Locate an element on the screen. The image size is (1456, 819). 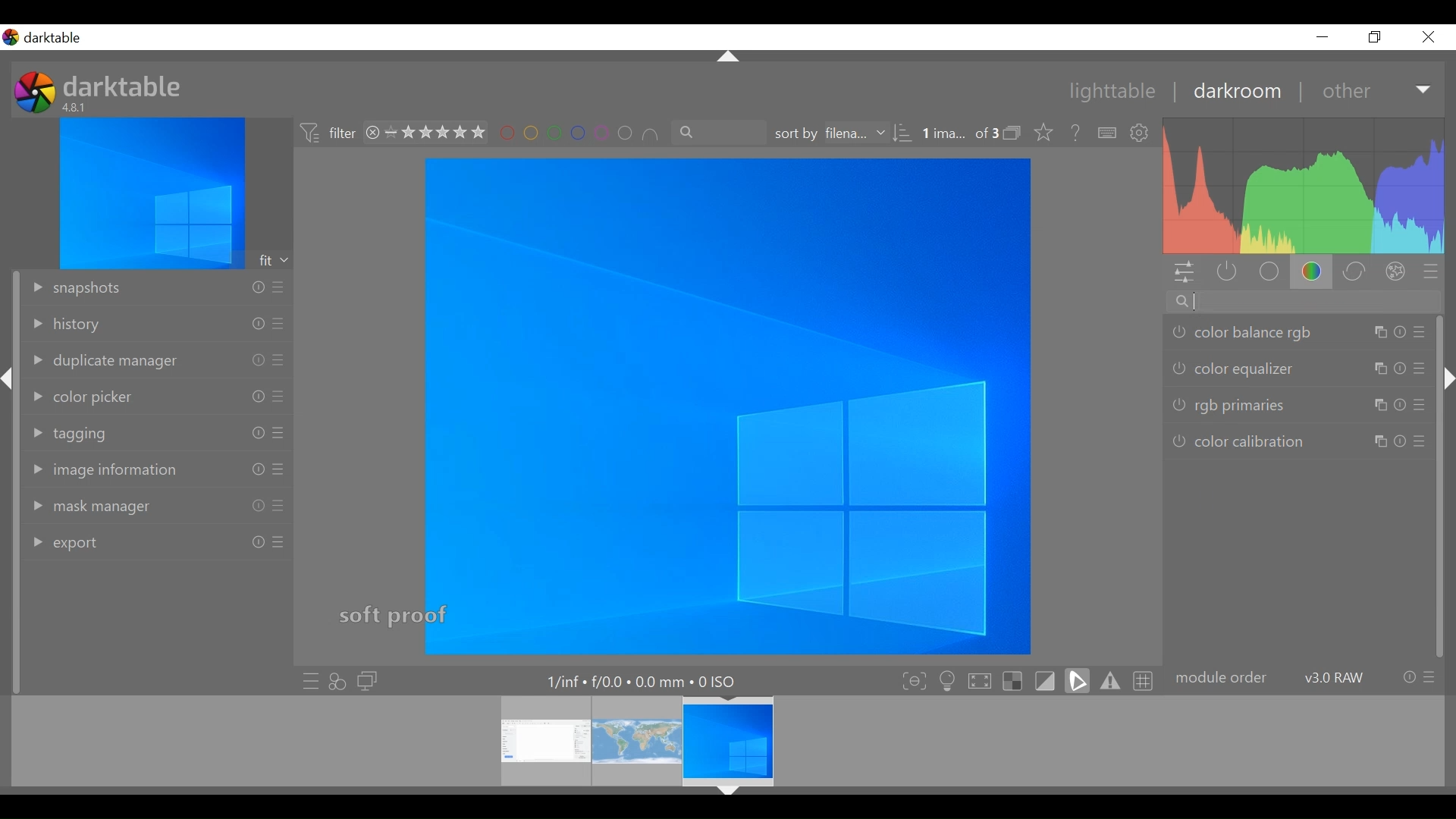
 is located at coordinates (1379, 369).